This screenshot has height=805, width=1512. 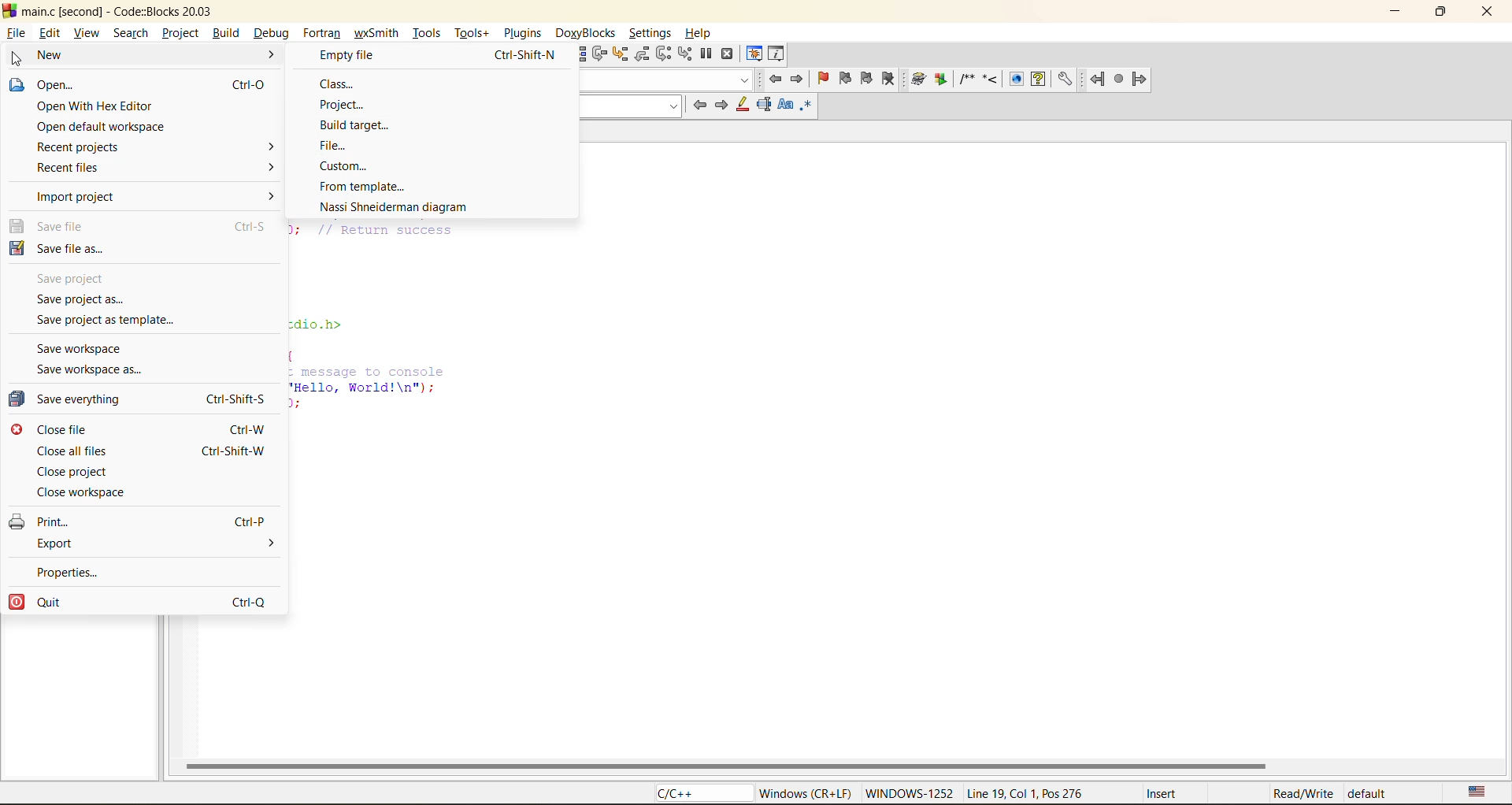 What do you see at coordinates (247, 520) in the screenshot?
I see `Ctrl-P` at bounding box center [247, 520].